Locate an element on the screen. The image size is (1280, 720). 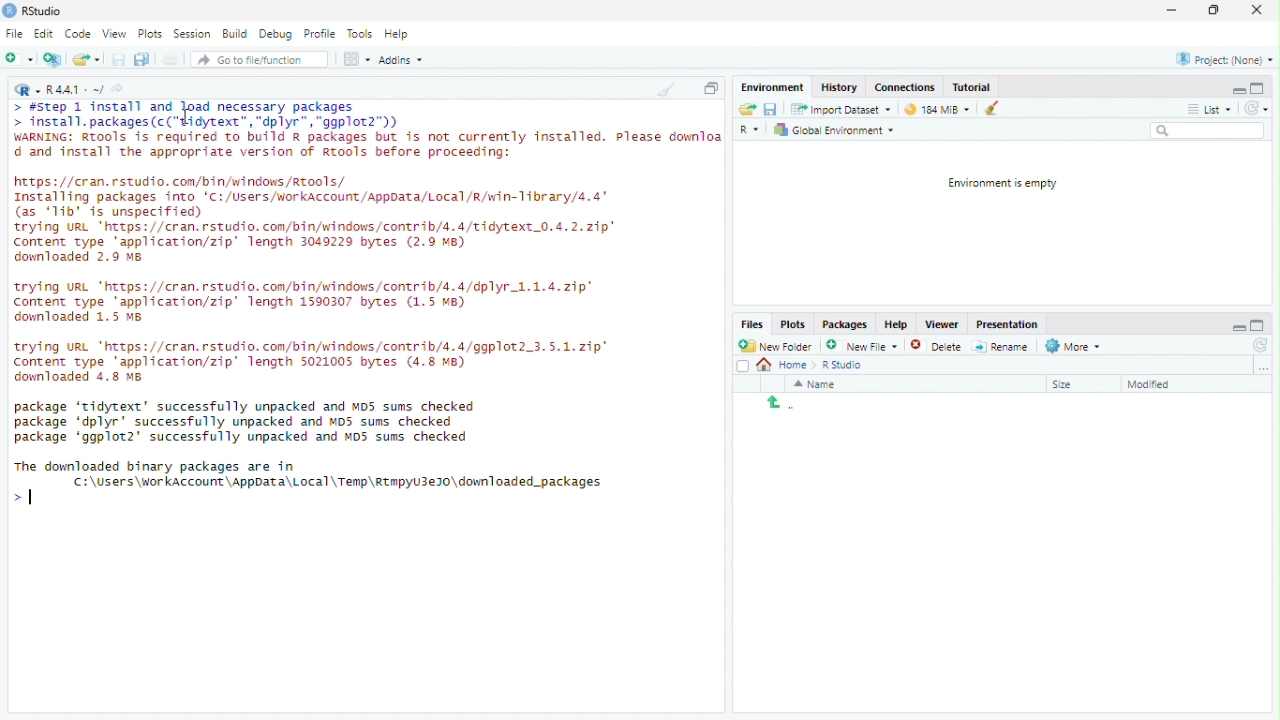
Clean is located at coordinates (987, 108).